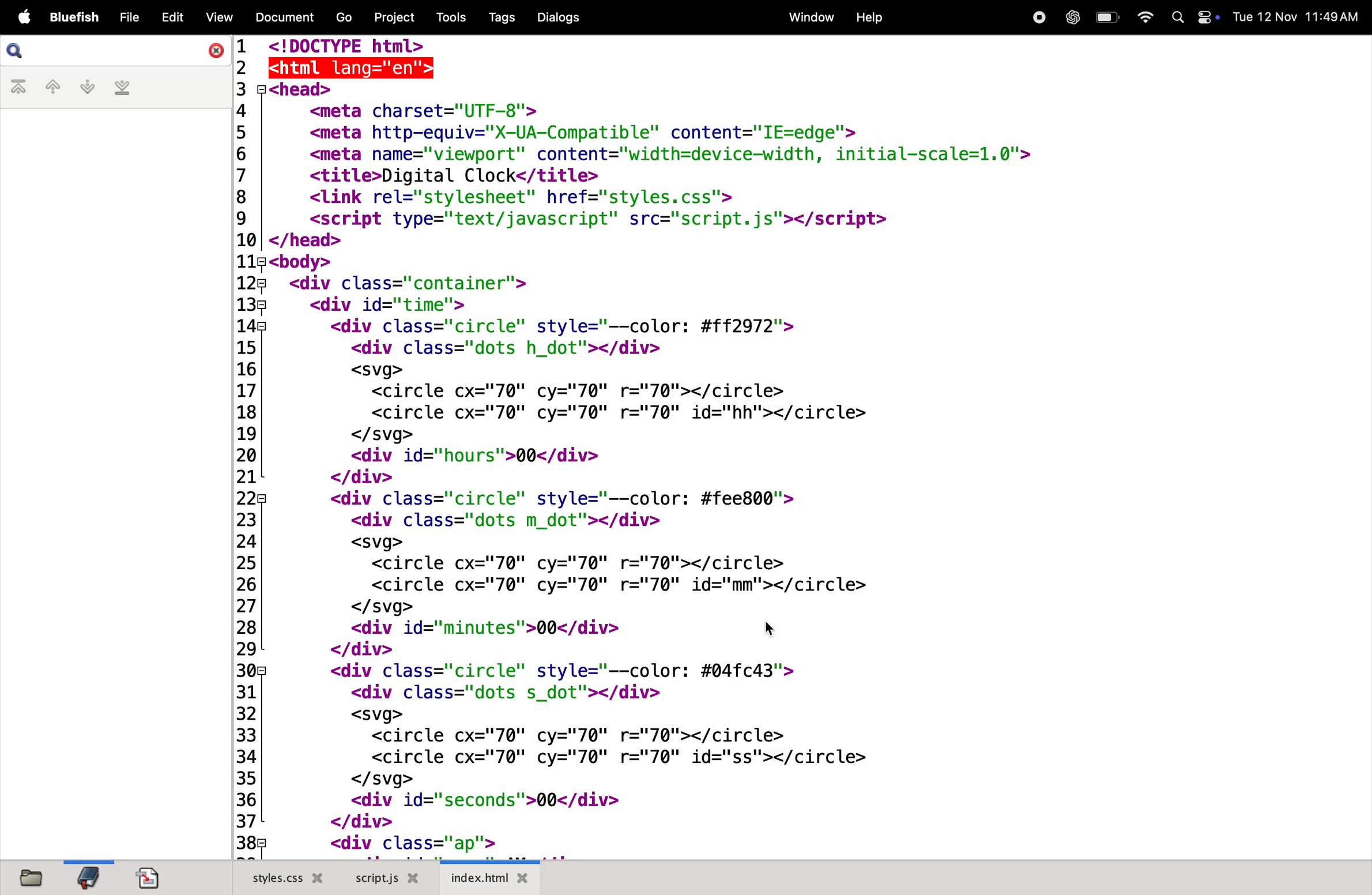 Image resolution: width=1372 pixels, height=895 pixels. Describe the element at coordinates (20, 88) in the screenshot. I see `first bookmark` at that location.